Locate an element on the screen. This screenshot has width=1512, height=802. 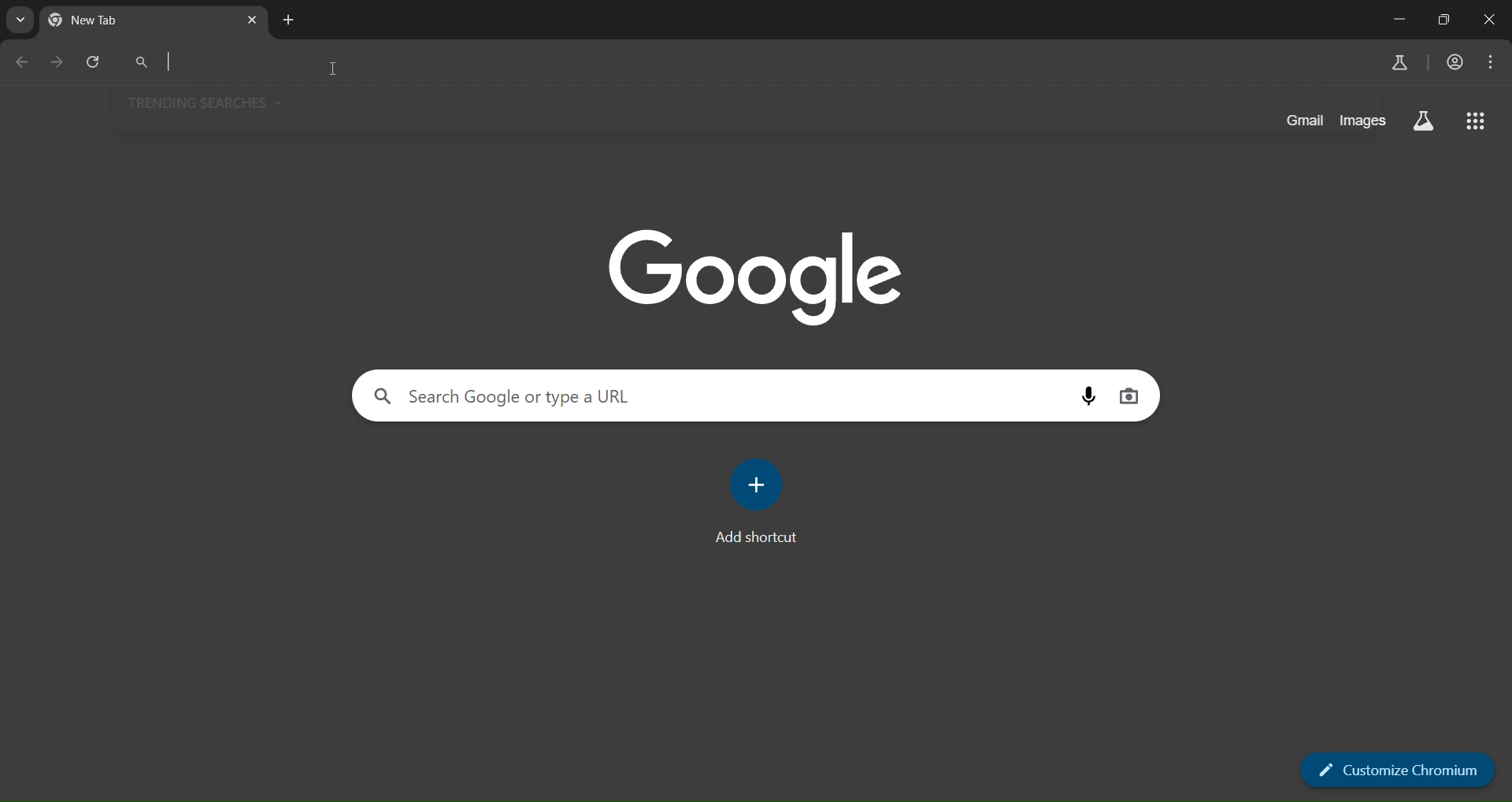
minimize is located at coordinates (1399, 17).